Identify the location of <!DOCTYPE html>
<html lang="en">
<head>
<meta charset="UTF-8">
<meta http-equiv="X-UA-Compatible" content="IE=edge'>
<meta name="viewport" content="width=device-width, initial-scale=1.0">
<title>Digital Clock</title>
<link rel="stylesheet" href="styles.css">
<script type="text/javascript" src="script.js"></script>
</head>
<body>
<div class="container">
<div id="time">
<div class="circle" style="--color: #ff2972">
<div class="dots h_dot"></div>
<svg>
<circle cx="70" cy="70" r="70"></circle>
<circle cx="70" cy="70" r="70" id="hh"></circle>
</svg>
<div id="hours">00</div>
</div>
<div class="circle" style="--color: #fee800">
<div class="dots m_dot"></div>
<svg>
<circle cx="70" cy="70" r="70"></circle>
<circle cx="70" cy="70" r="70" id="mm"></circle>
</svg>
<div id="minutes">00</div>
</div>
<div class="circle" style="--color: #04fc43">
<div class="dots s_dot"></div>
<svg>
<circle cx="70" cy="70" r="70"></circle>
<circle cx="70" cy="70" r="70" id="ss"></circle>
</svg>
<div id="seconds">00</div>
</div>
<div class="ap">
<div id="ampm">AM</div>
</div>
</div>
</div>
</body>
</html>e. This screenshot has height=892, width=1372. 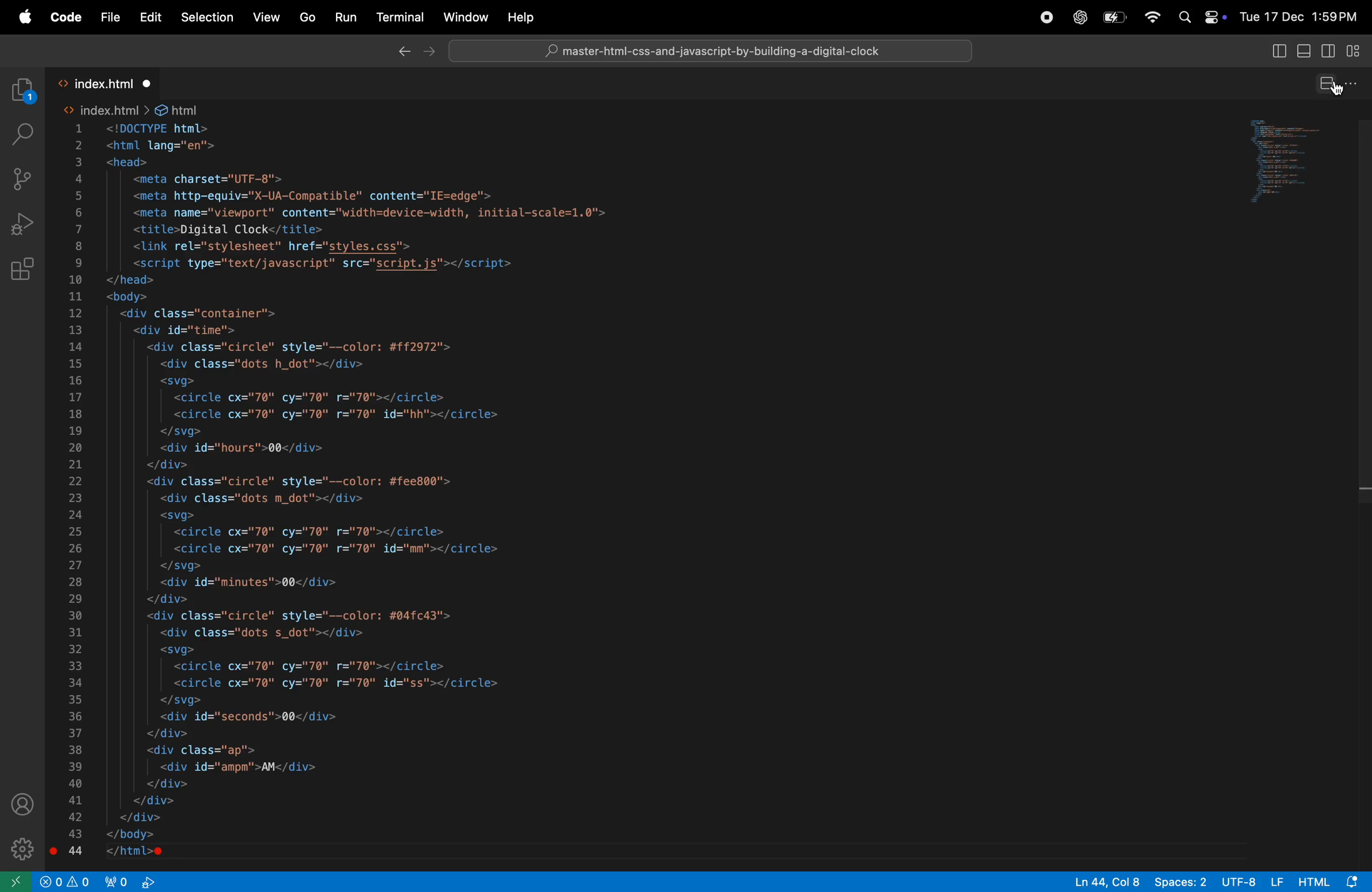
(363, 491).